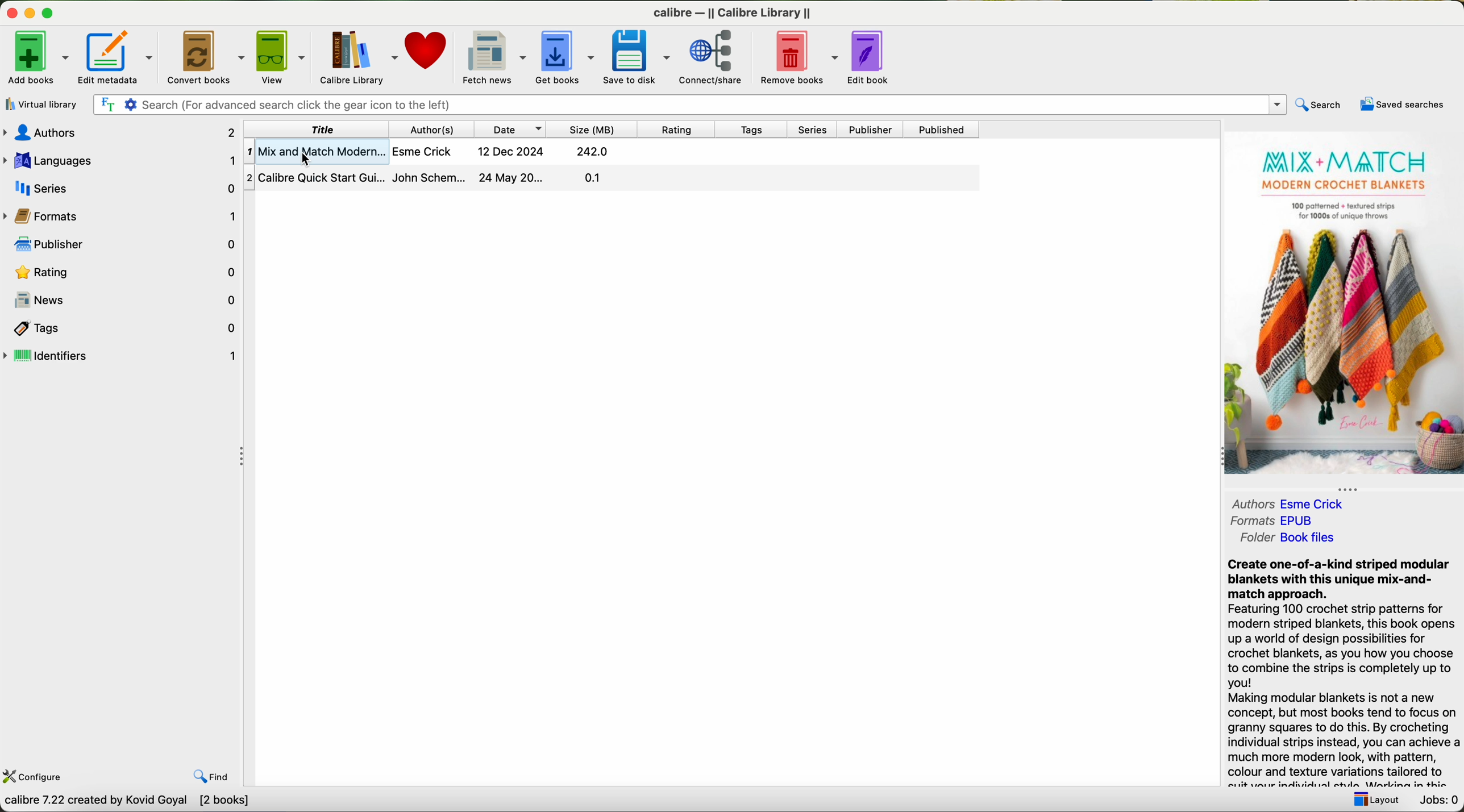 This screenshot has width=1464, height=812. Describe the element at coordinates (116, 57) in the screenshot. I see `edit metadata` at that location.